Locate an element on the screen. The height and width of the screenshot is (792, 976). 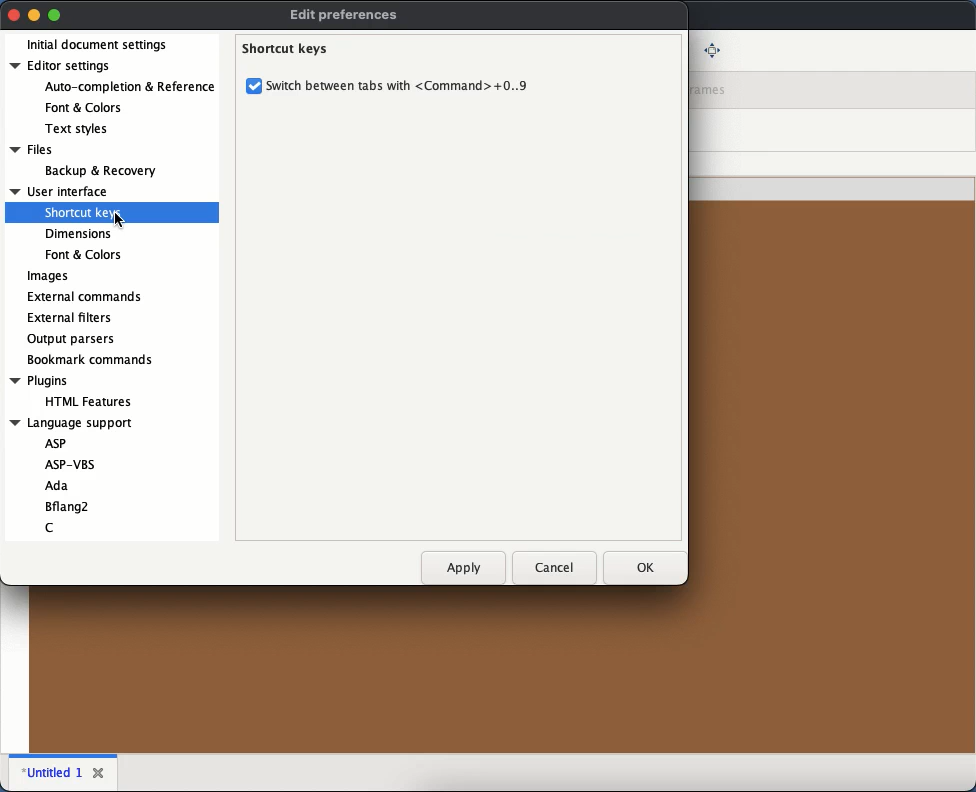
Ada is located at coordinates (59, 485).